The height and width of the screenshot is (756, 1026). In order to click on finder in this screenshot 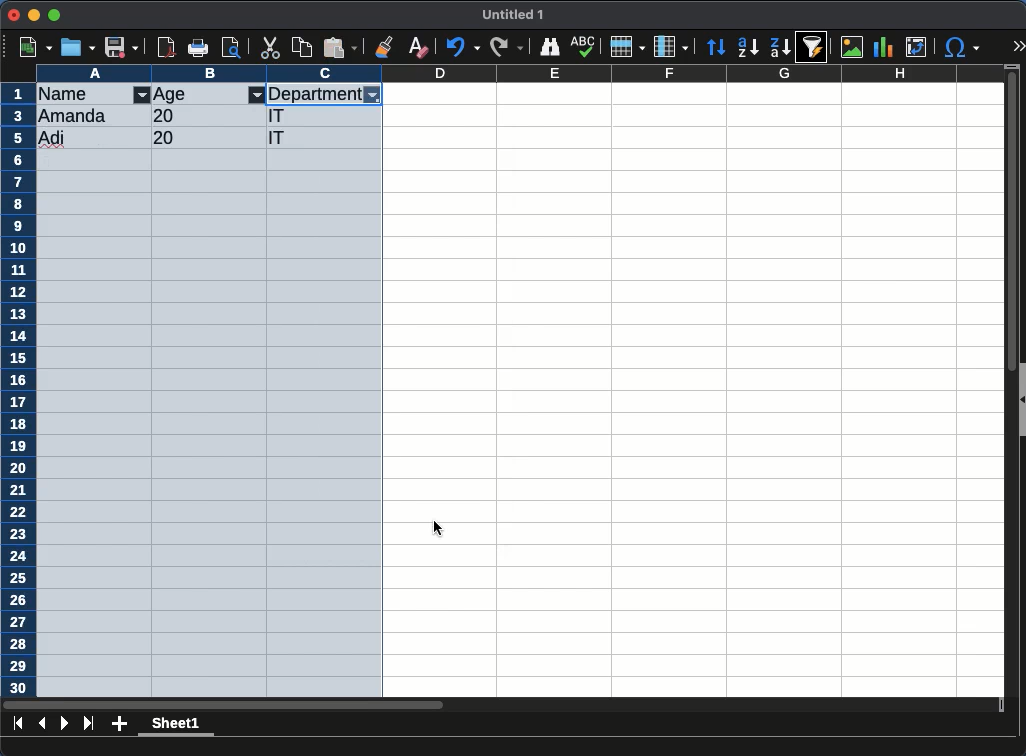, I will do `click(552, 47)`.